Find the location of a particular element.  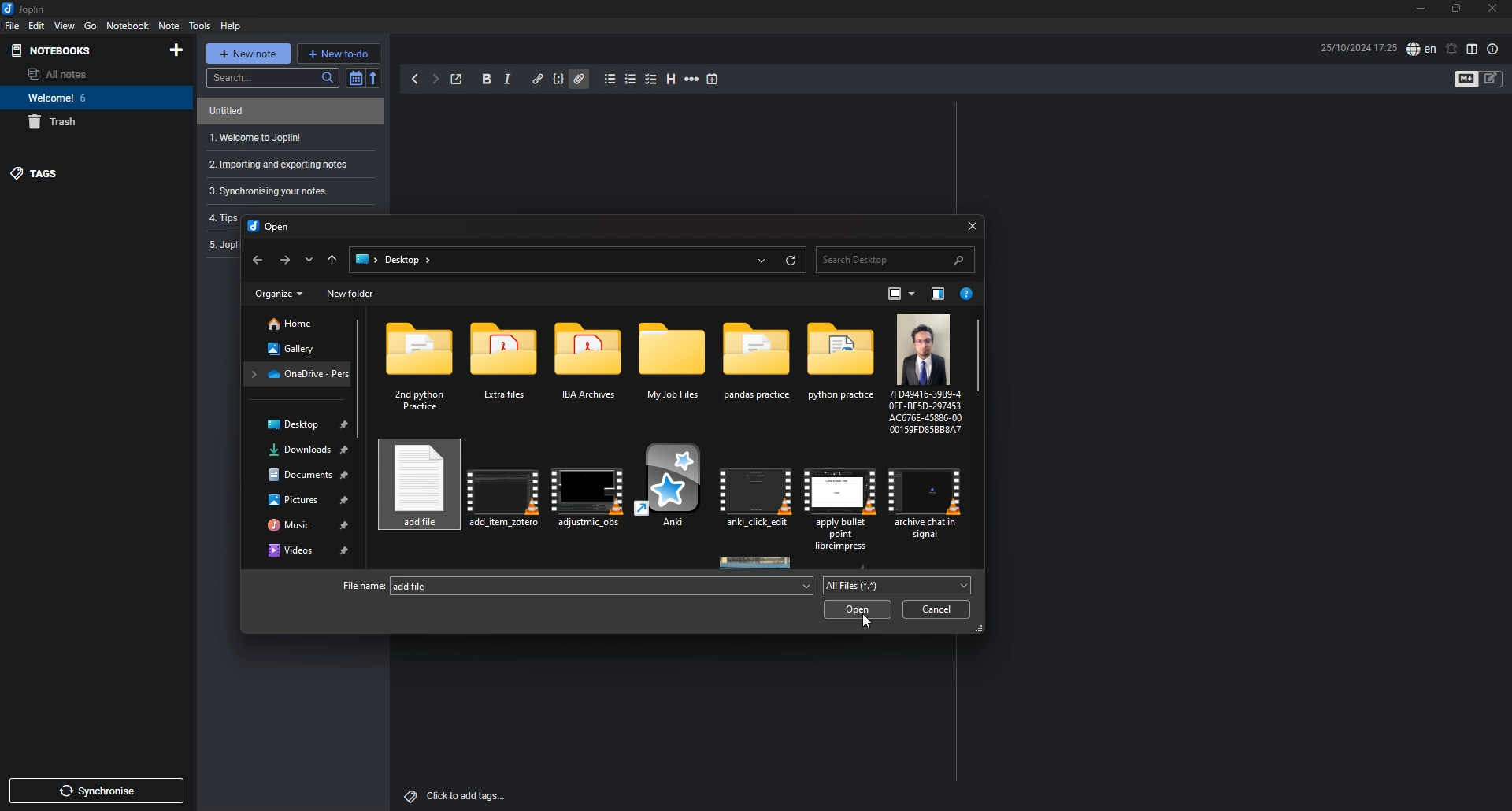

toggle editors is located at coordinates (1466, 79).